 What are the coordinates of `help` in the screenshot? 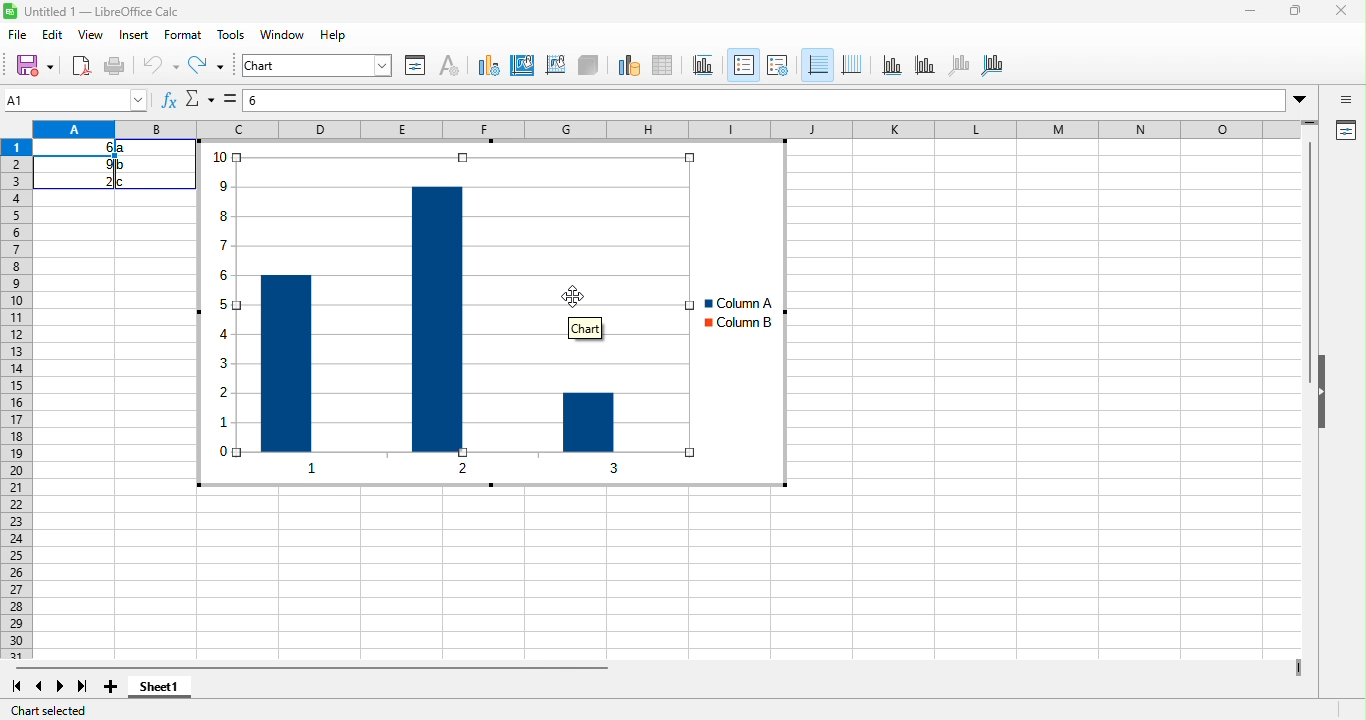 It's located at (332, 36).